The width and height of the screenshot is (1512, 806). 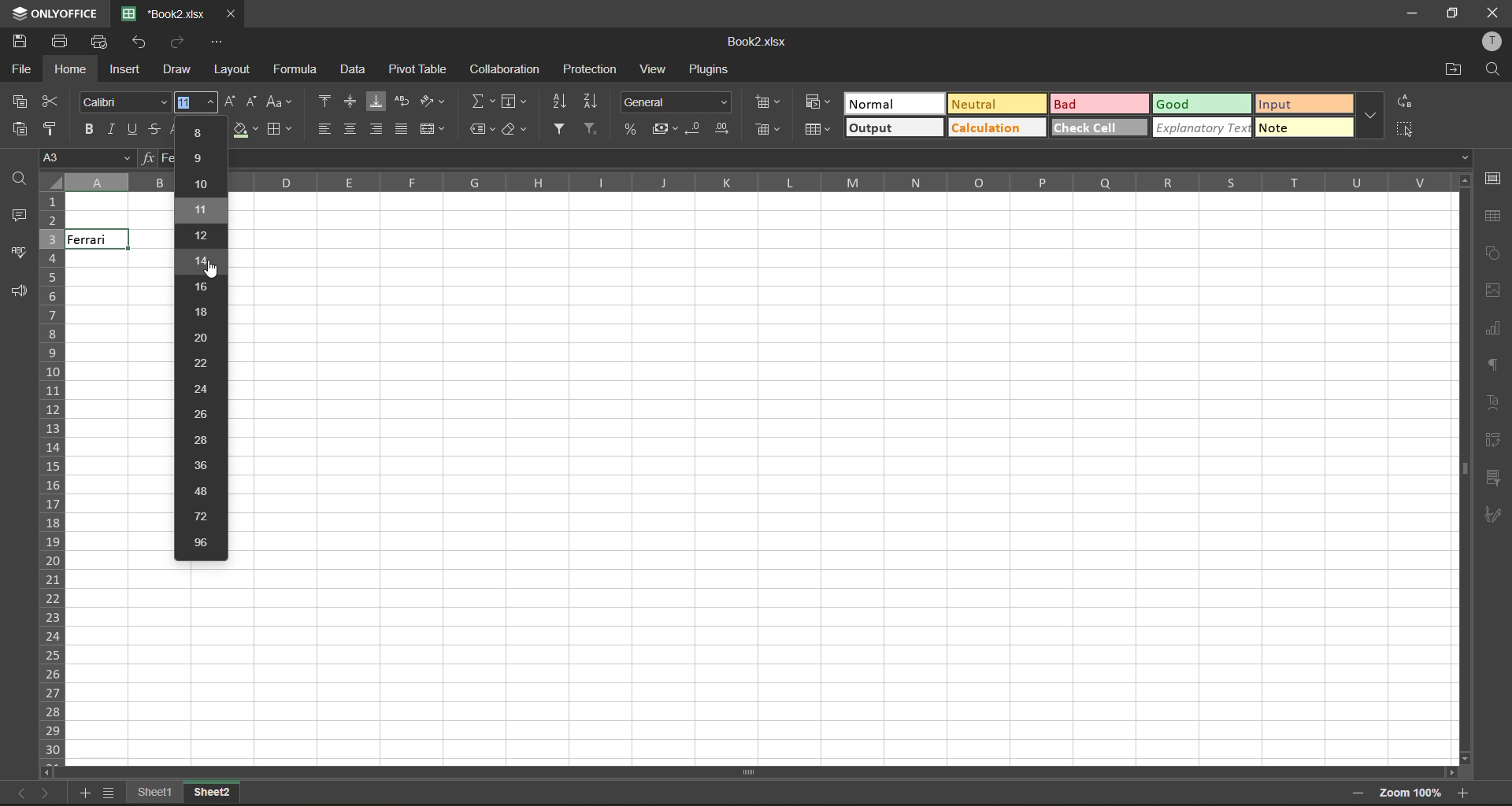 What do you see at coordinates (1494, 331) in the screenshot?
I see `charts` at bounding box center [1494, 331].